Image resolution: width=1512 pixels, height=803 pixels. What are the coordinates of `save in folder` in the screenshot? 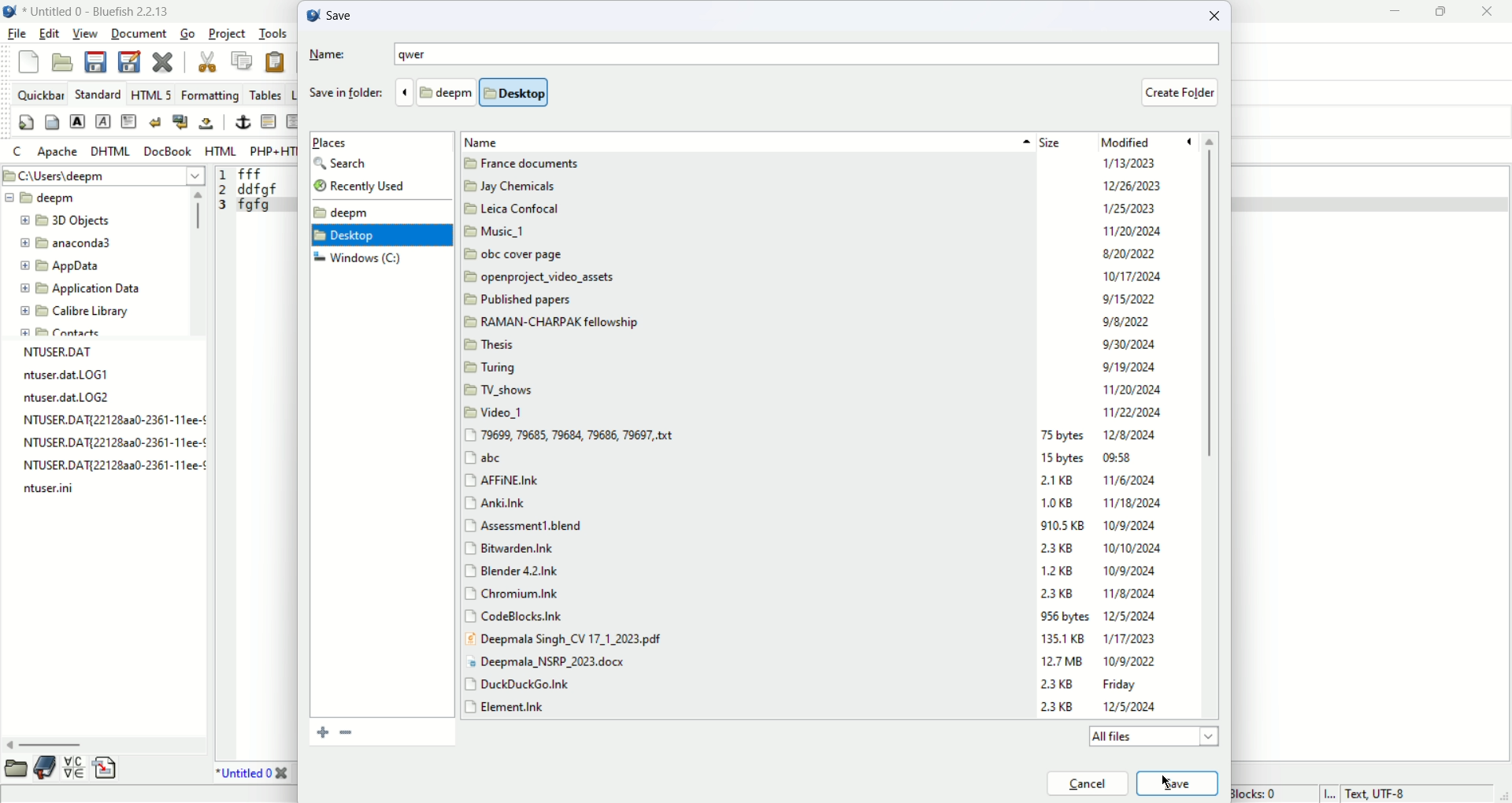 It's located at (344, 96).